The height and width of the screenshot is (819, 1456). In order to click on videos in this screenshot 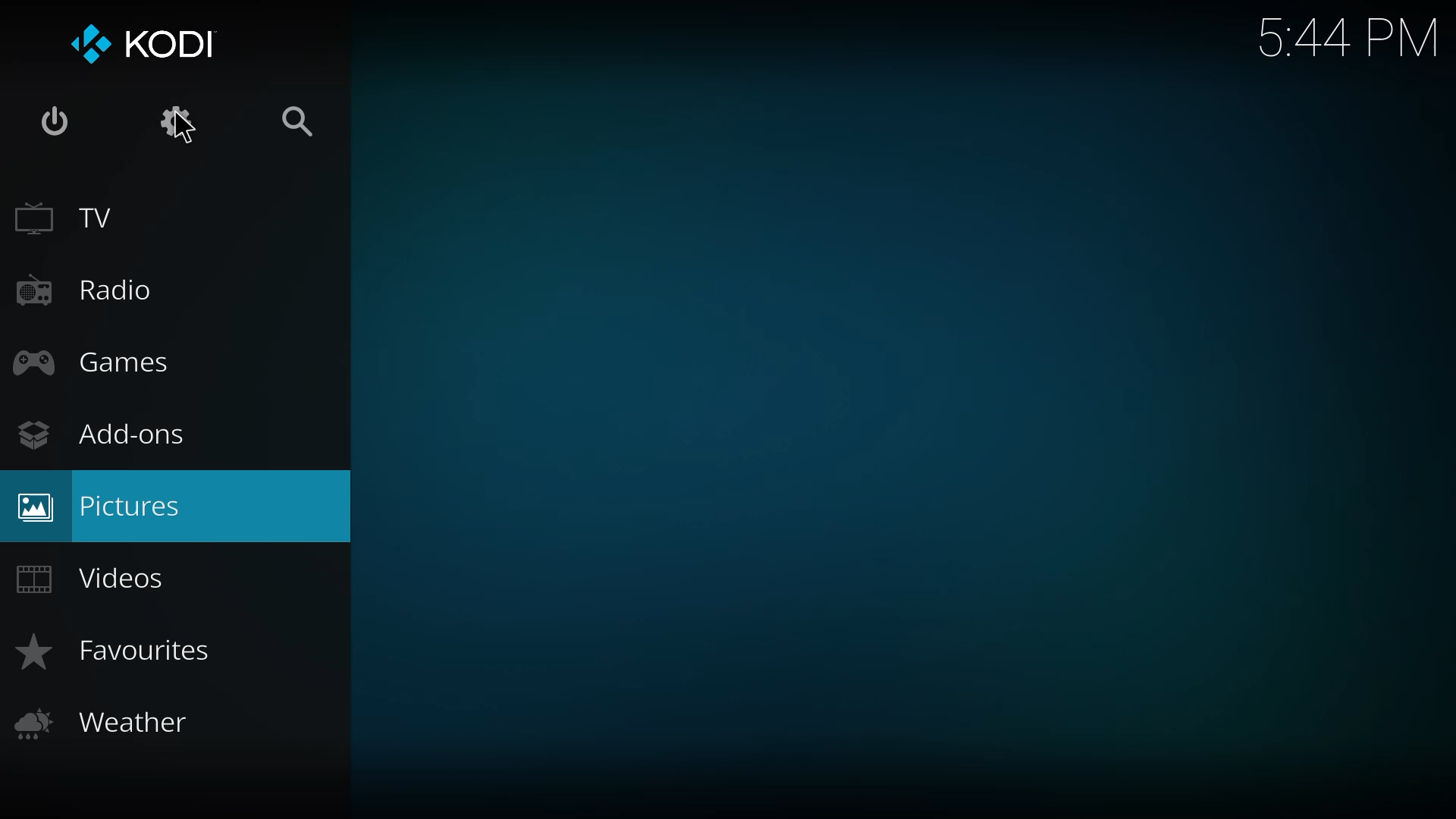, I will do `click(105, 576)`.